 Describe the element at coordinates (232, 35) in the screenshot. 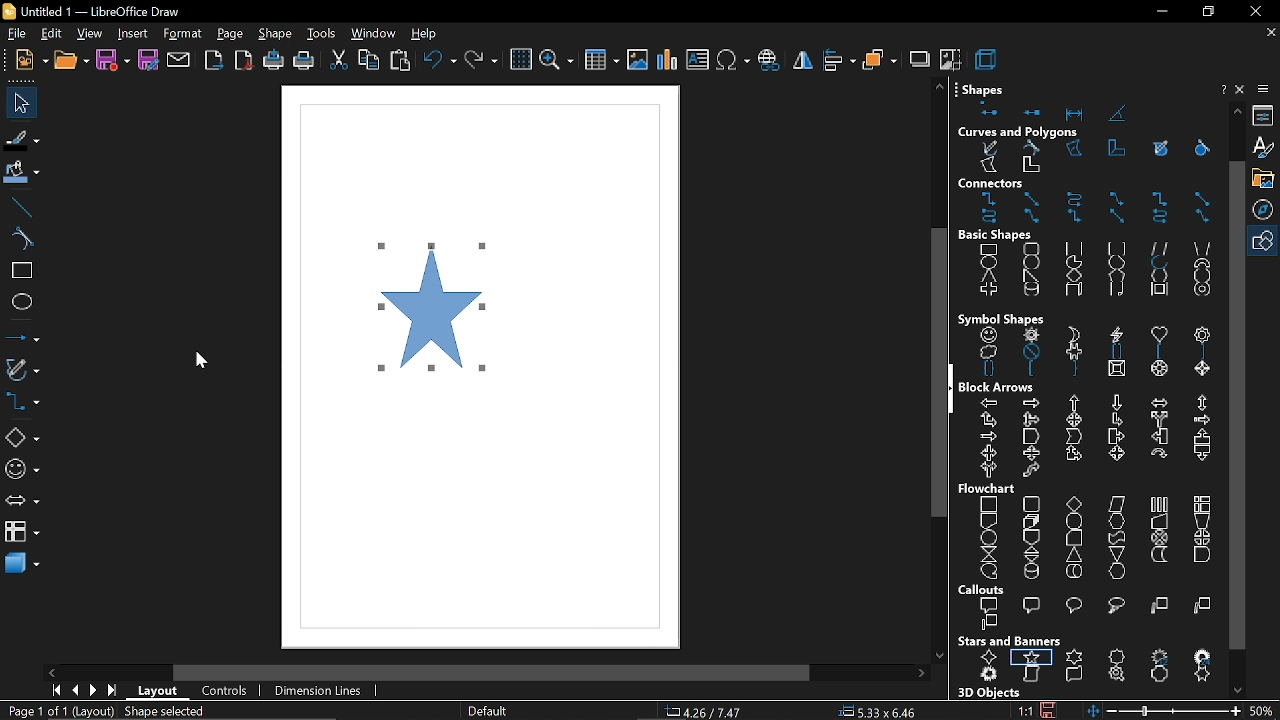

I see `page` at that location.